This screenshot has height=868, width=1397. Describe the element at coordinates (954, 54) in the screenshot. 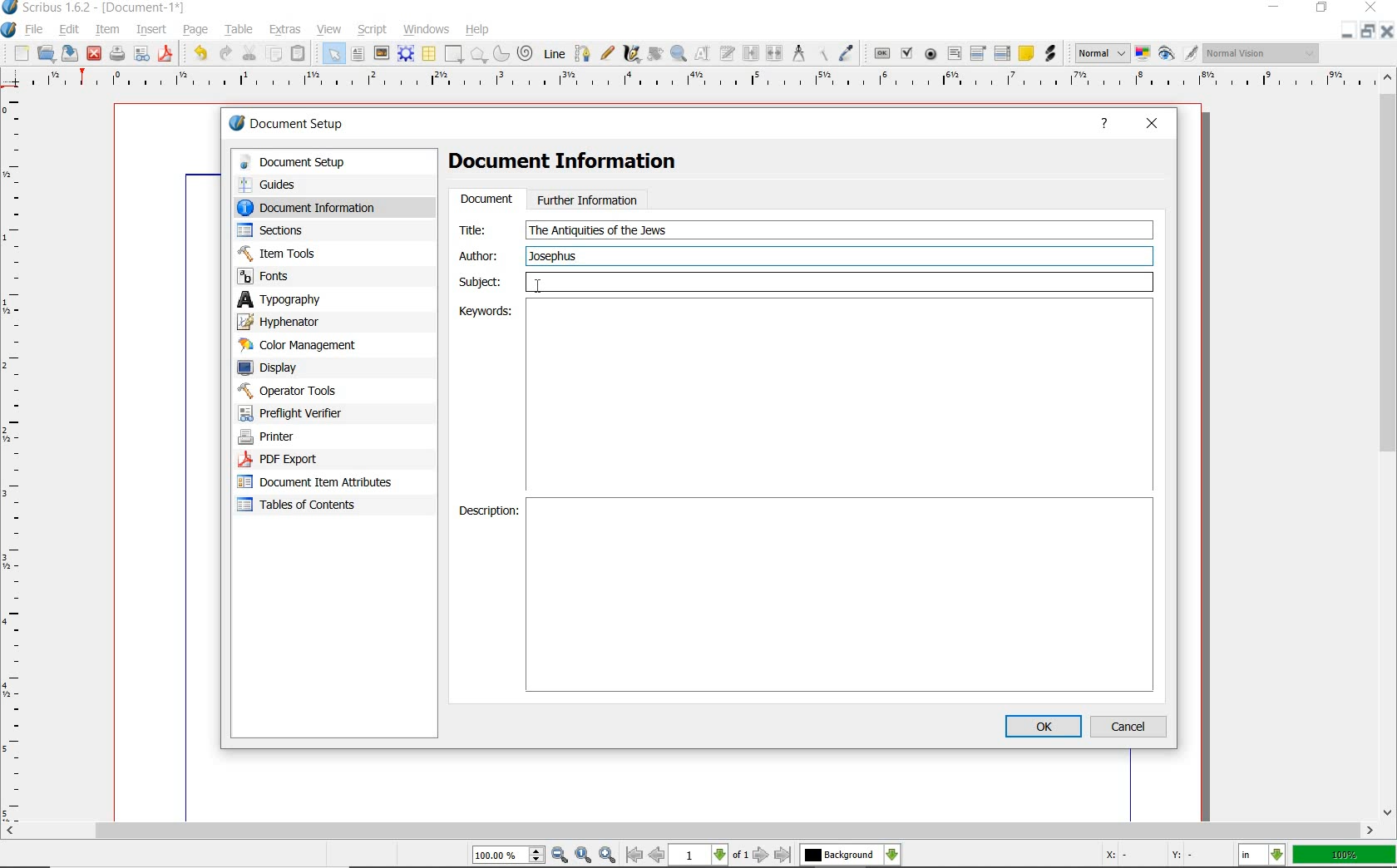

I see `pdf text field` at that location.